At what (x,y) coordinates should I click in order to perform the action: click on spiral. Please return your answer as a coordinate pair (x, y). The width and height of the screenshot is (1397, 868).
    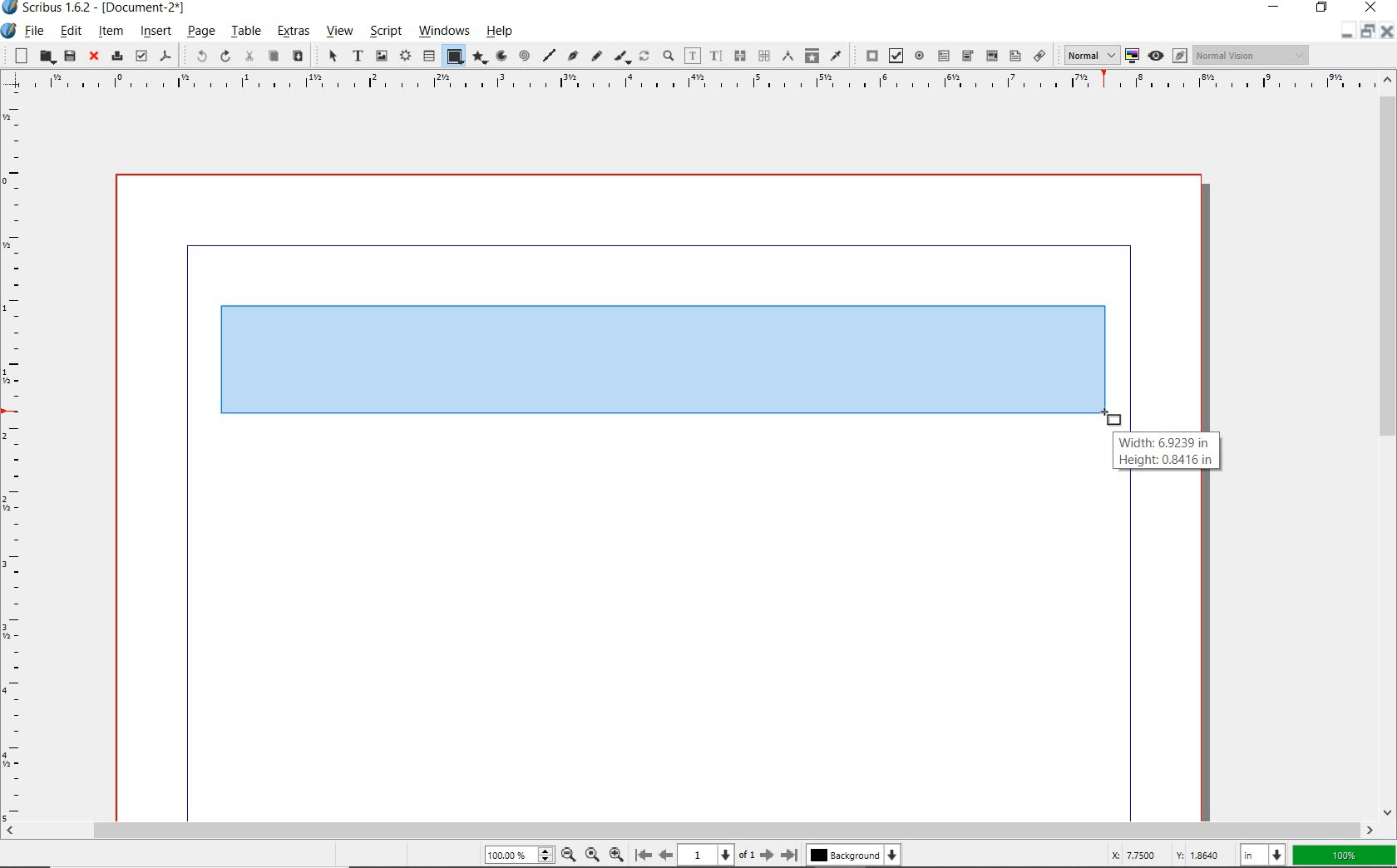
    Looking at the image, I should click on (526, 56).